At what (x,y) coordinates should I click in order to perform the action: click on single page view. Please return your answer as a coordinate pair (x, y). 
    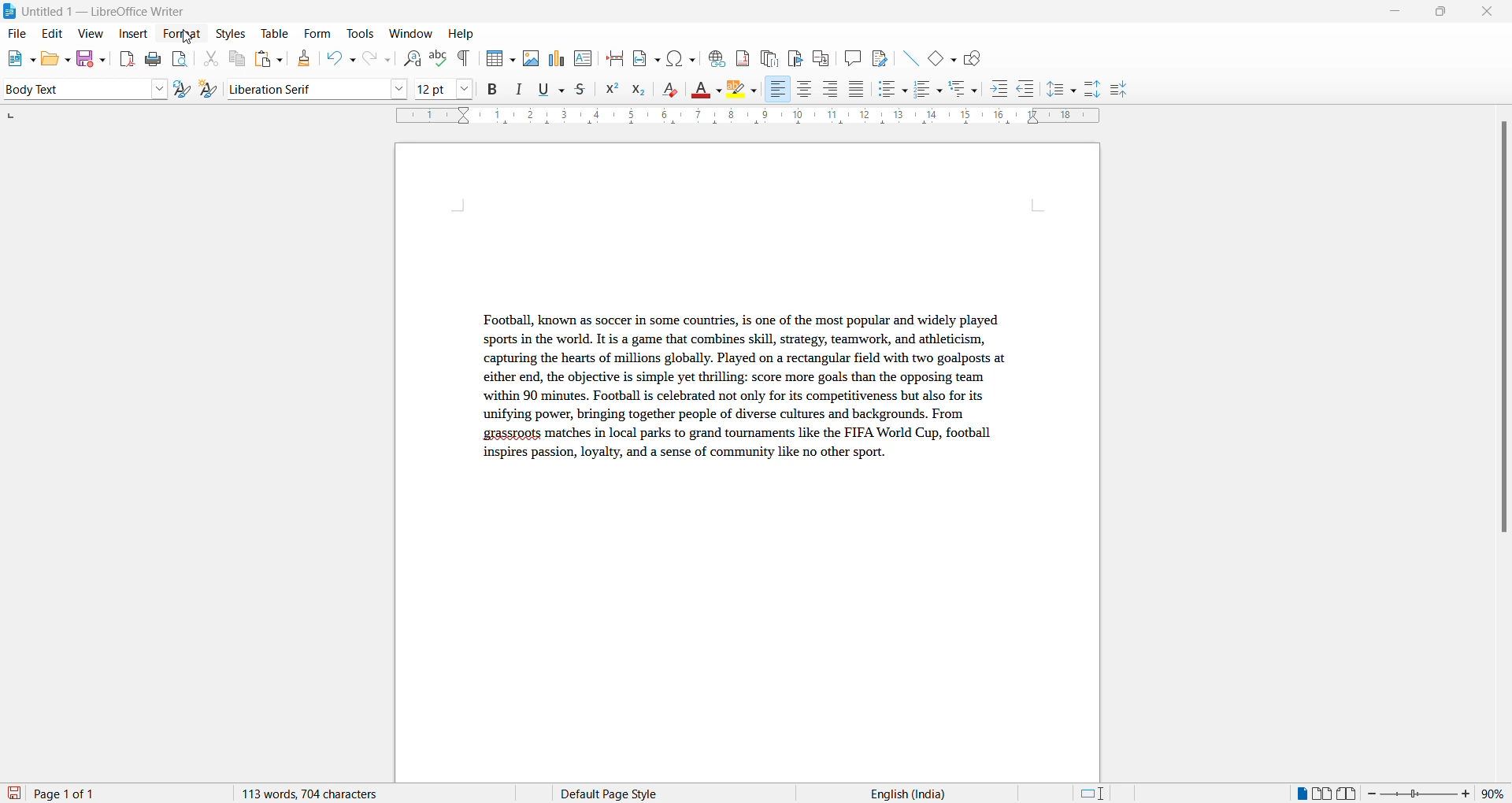
    Looking at the image, I should click on (1300, 794).